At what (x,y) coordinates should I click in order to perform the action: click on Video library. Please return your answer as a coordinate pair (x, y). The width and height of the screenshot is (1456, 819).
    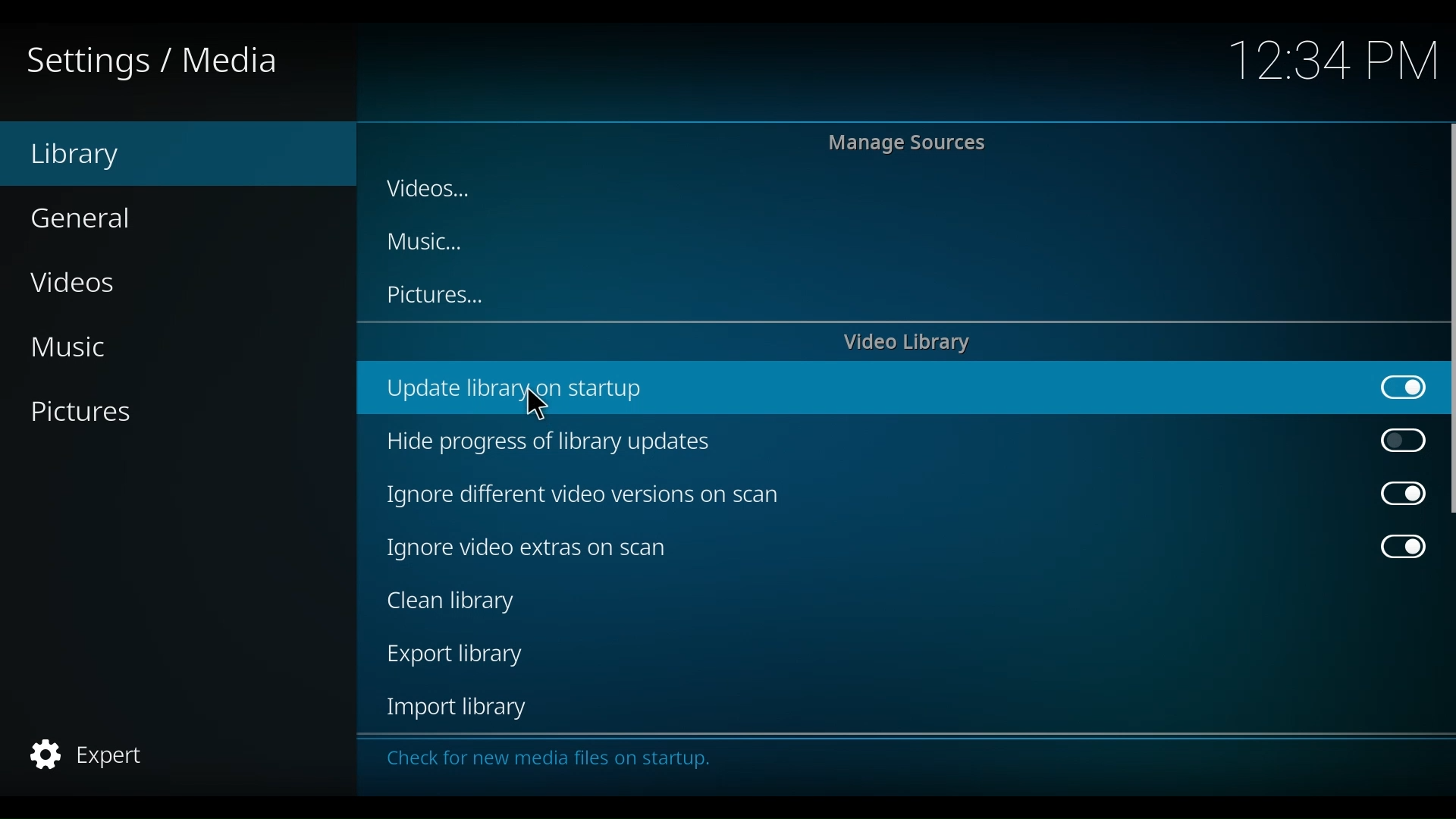
    Looking at the image, I should click on (906, 340).